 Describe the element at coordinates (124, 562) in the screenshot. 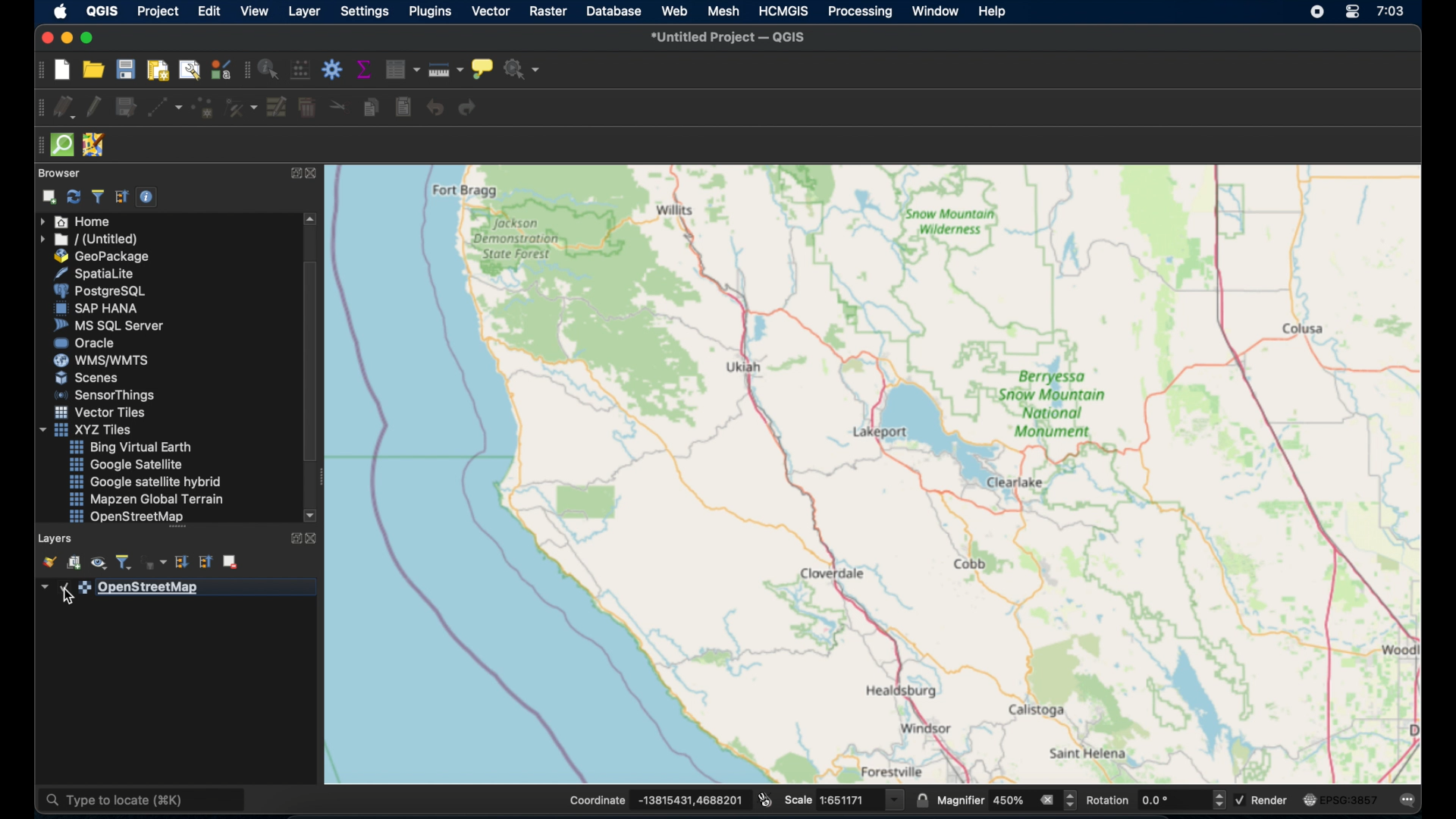

I see `filter legend` at that location.